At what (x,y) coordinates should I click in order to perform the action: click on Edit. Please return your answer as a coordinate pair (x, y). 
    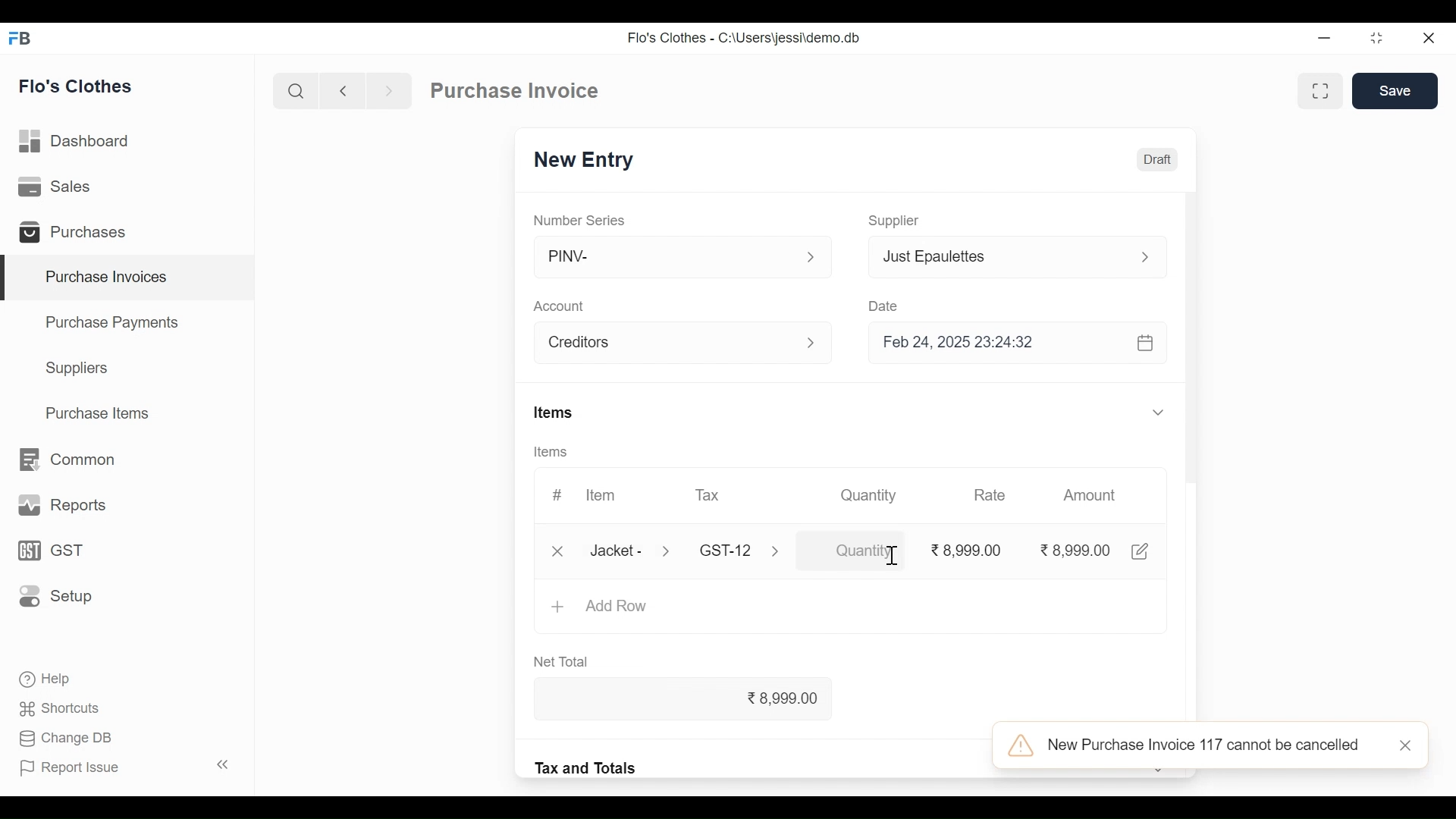
    Looking at the image, I should click on (1141, 551).